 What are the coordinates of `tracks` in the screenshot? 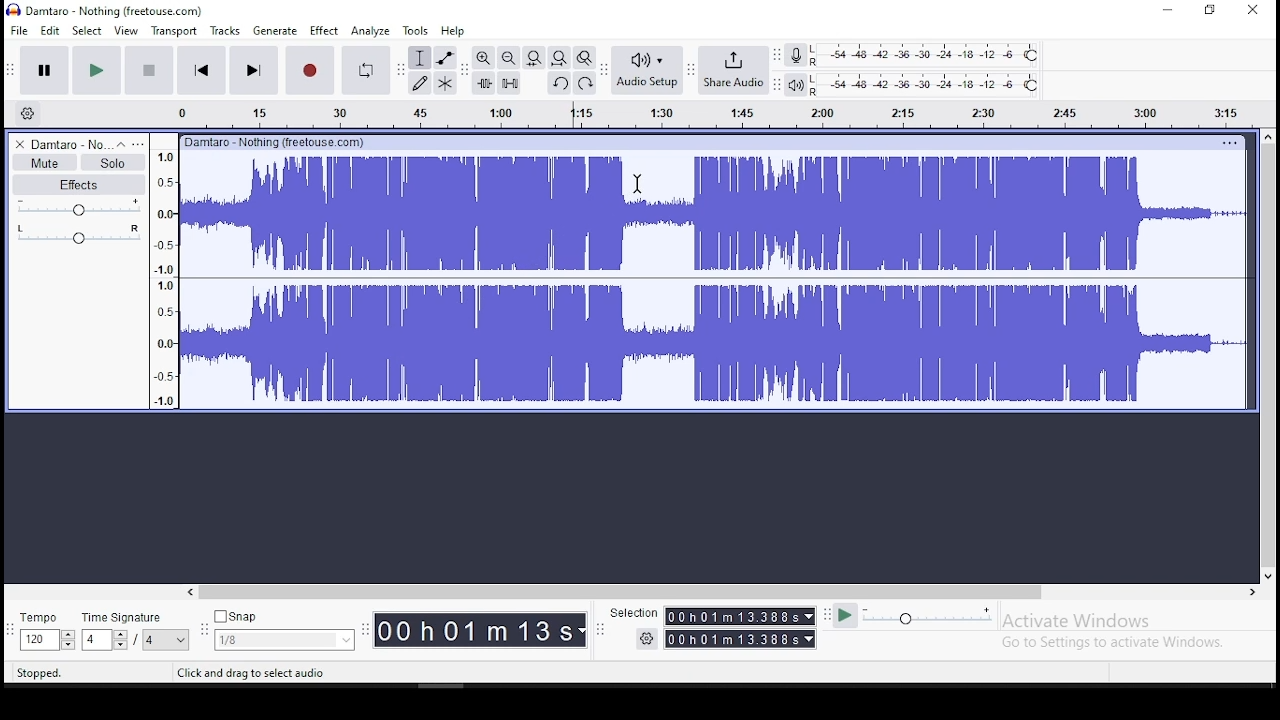 It's located at (225, 31).